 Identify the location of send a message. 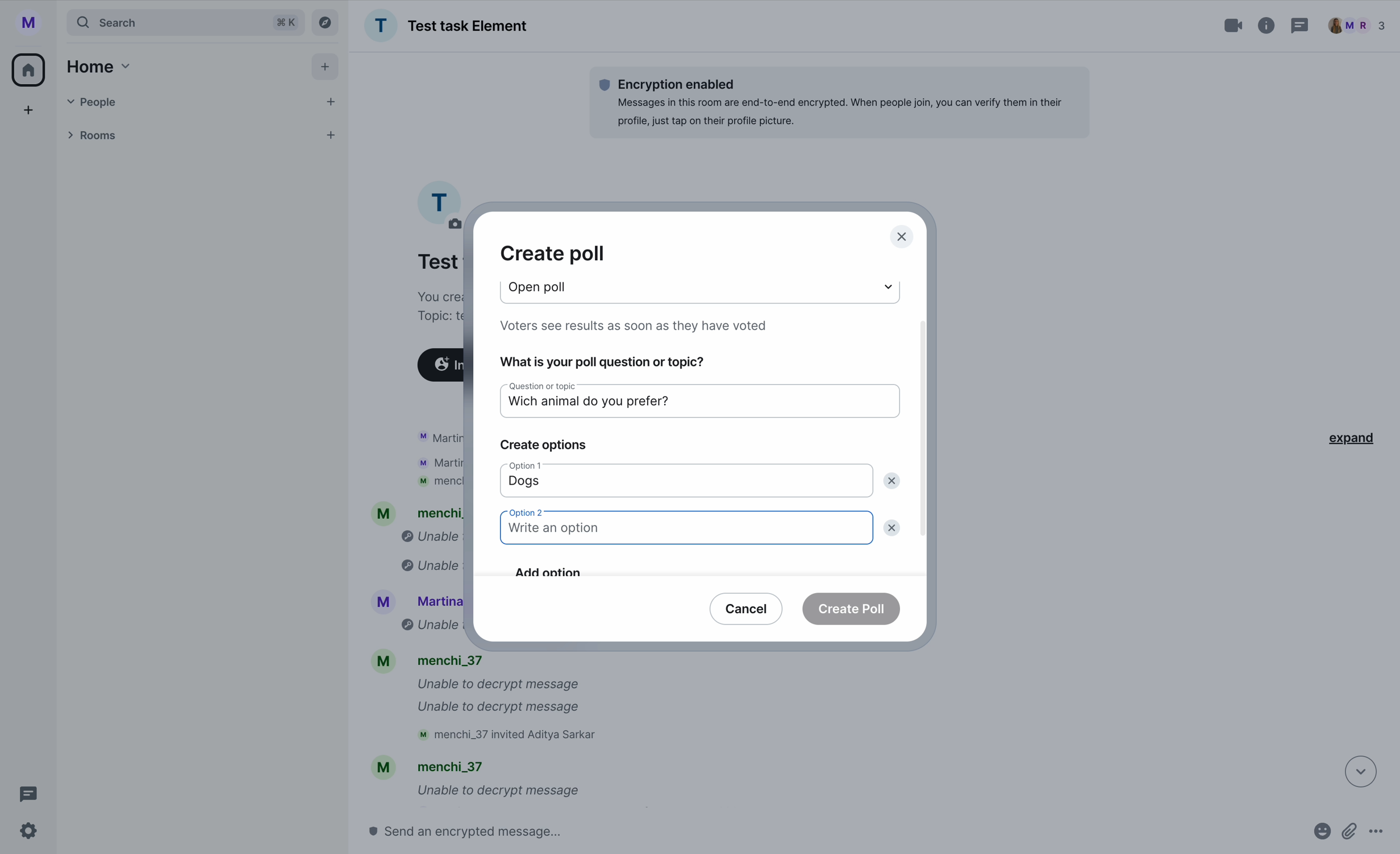
(489, 831).